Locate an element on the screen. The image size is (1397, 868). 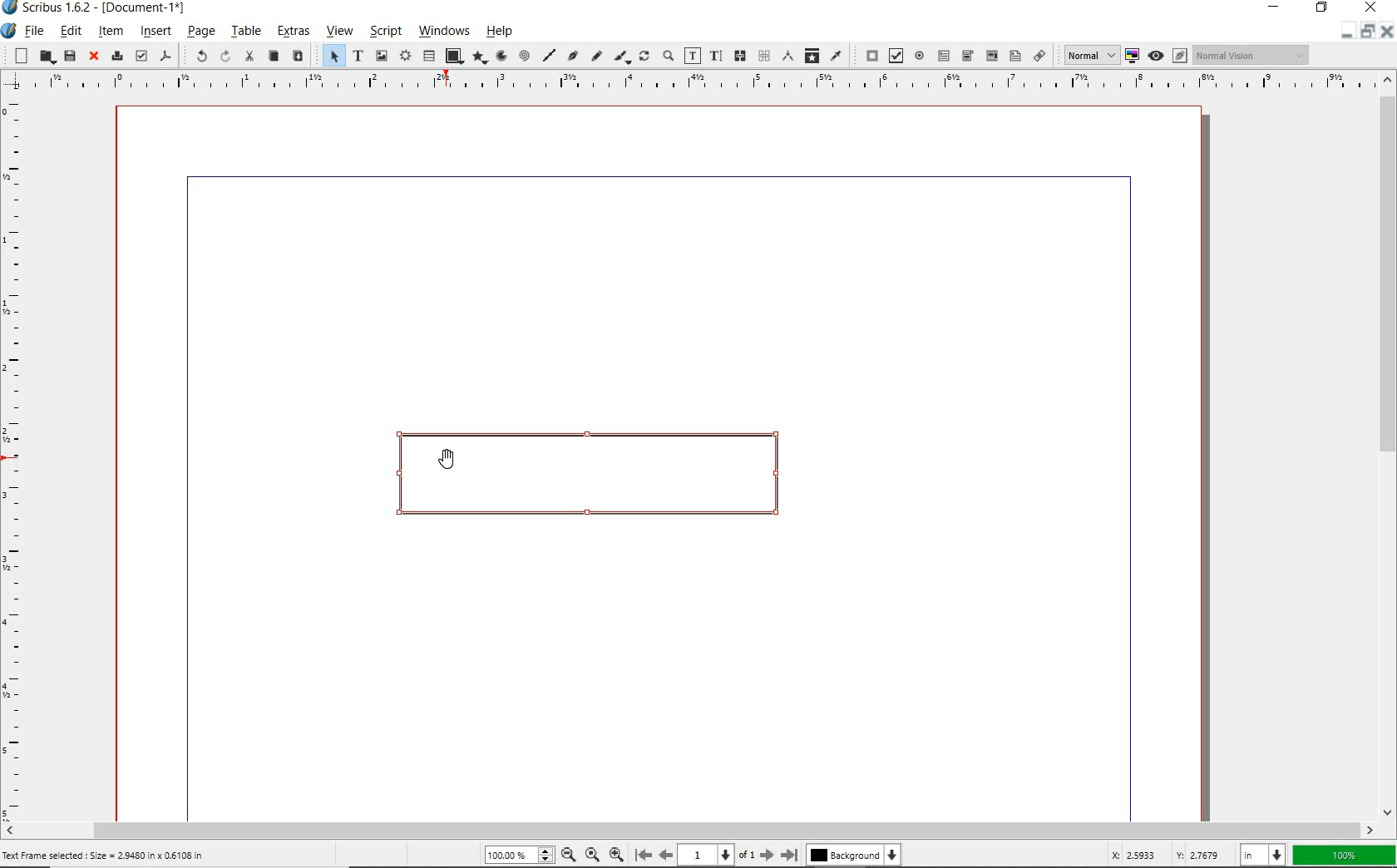
Minimize is located at coordinates (1366, 32).